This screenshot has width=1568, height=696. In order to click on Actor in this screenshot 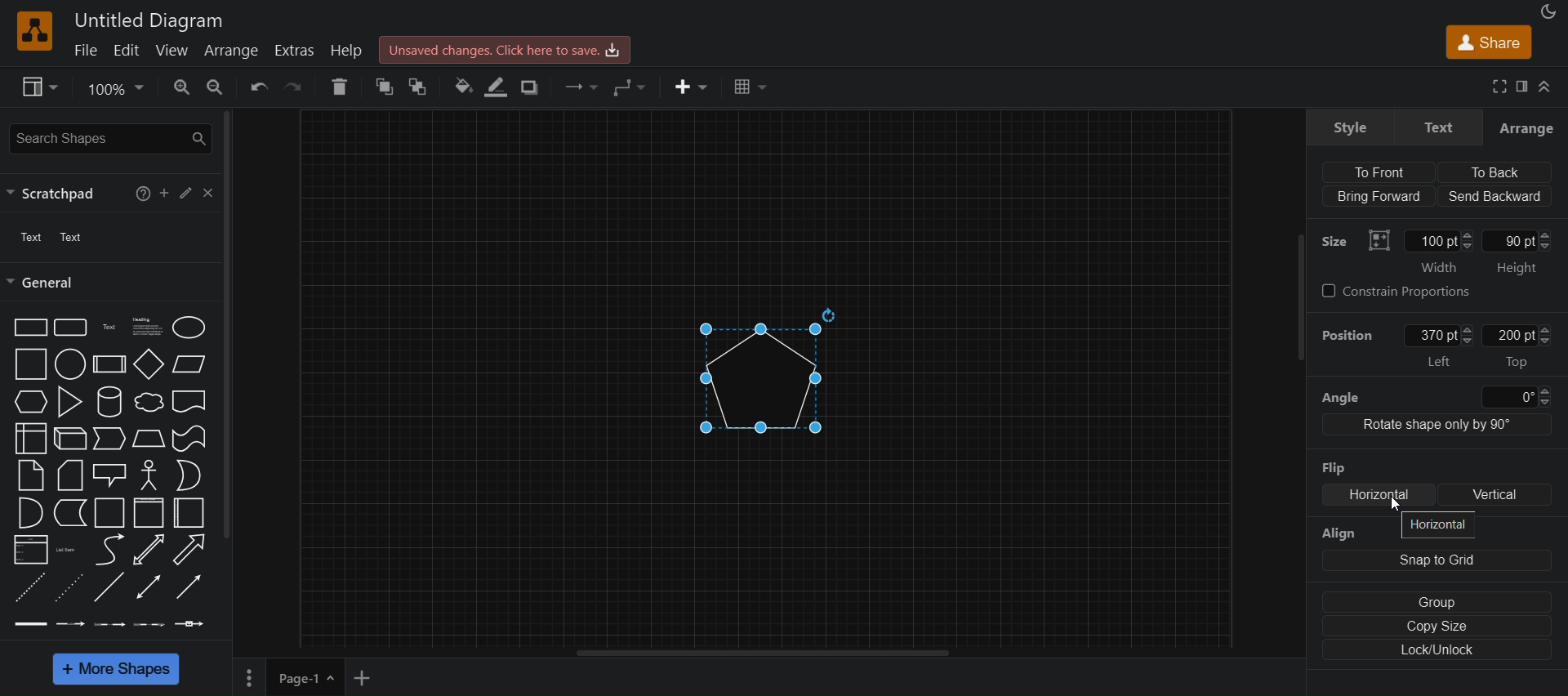, I will do `click(149, 475)`.